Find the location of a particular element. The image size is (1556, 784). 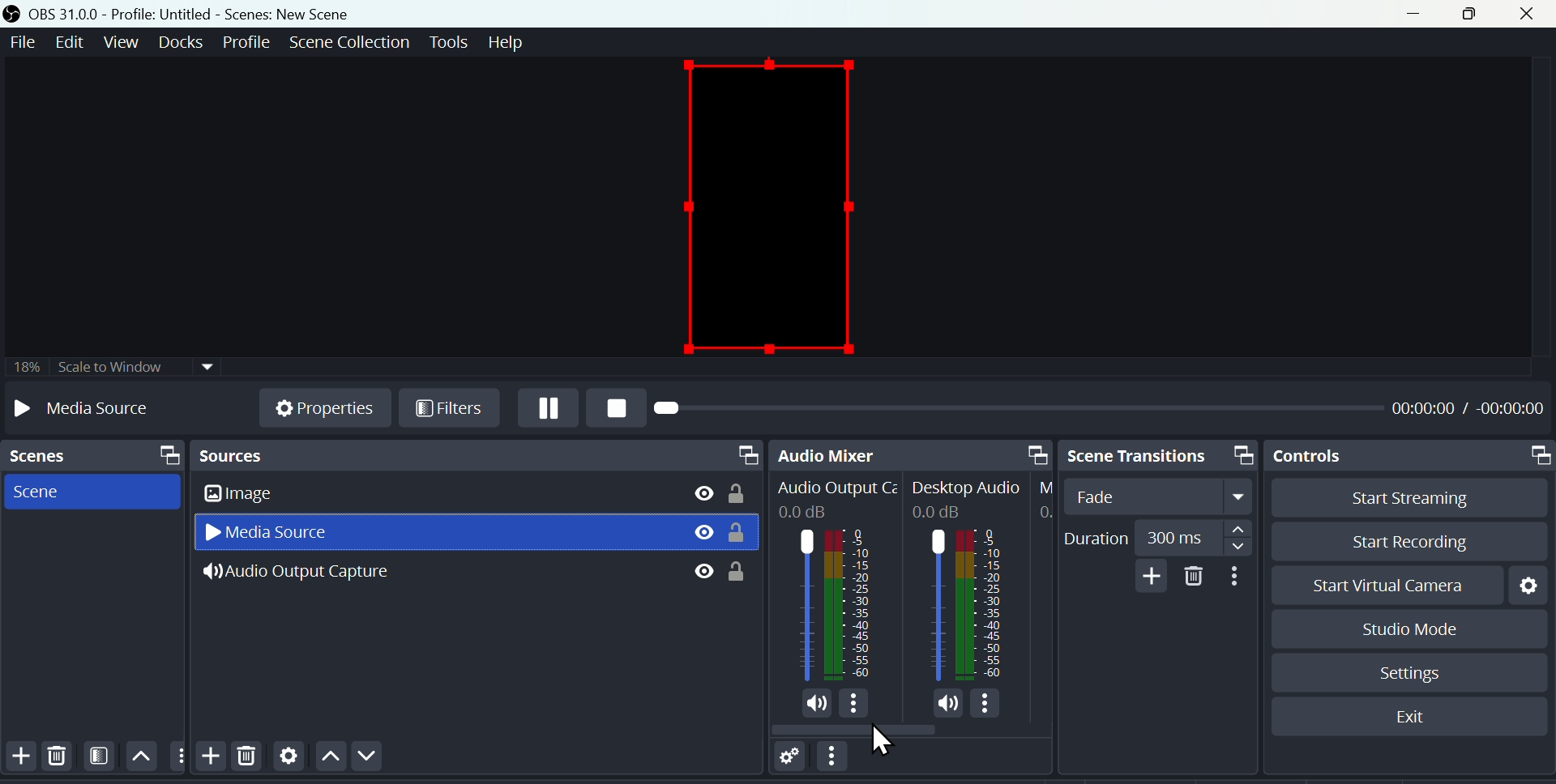

Settings is located at coordinates (288, 760).